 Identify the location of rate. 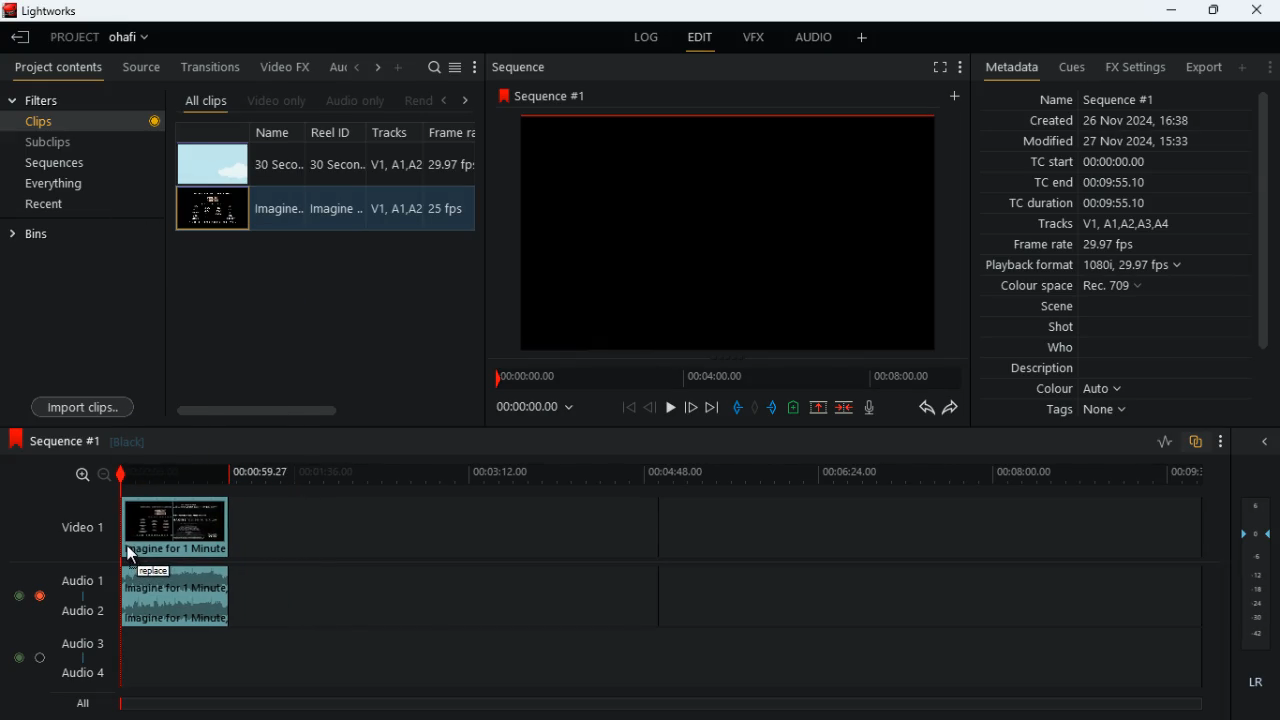
(1157, 442).